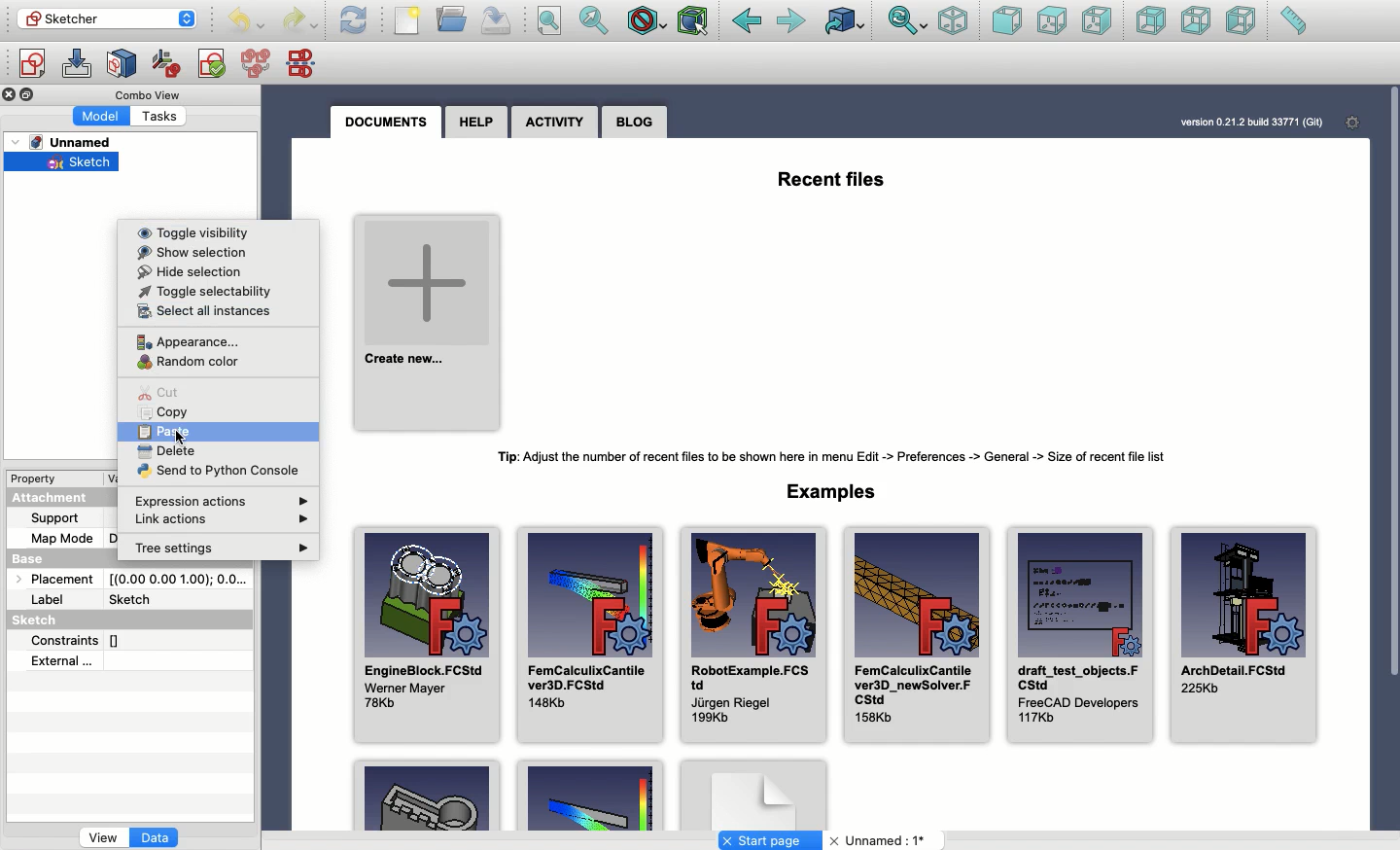 The height and width of the screenshot is (850, 1400). What do you see at coordinates (554, 124) in the screenshot?
I see `Activity ` at bounding box center [554, 124].